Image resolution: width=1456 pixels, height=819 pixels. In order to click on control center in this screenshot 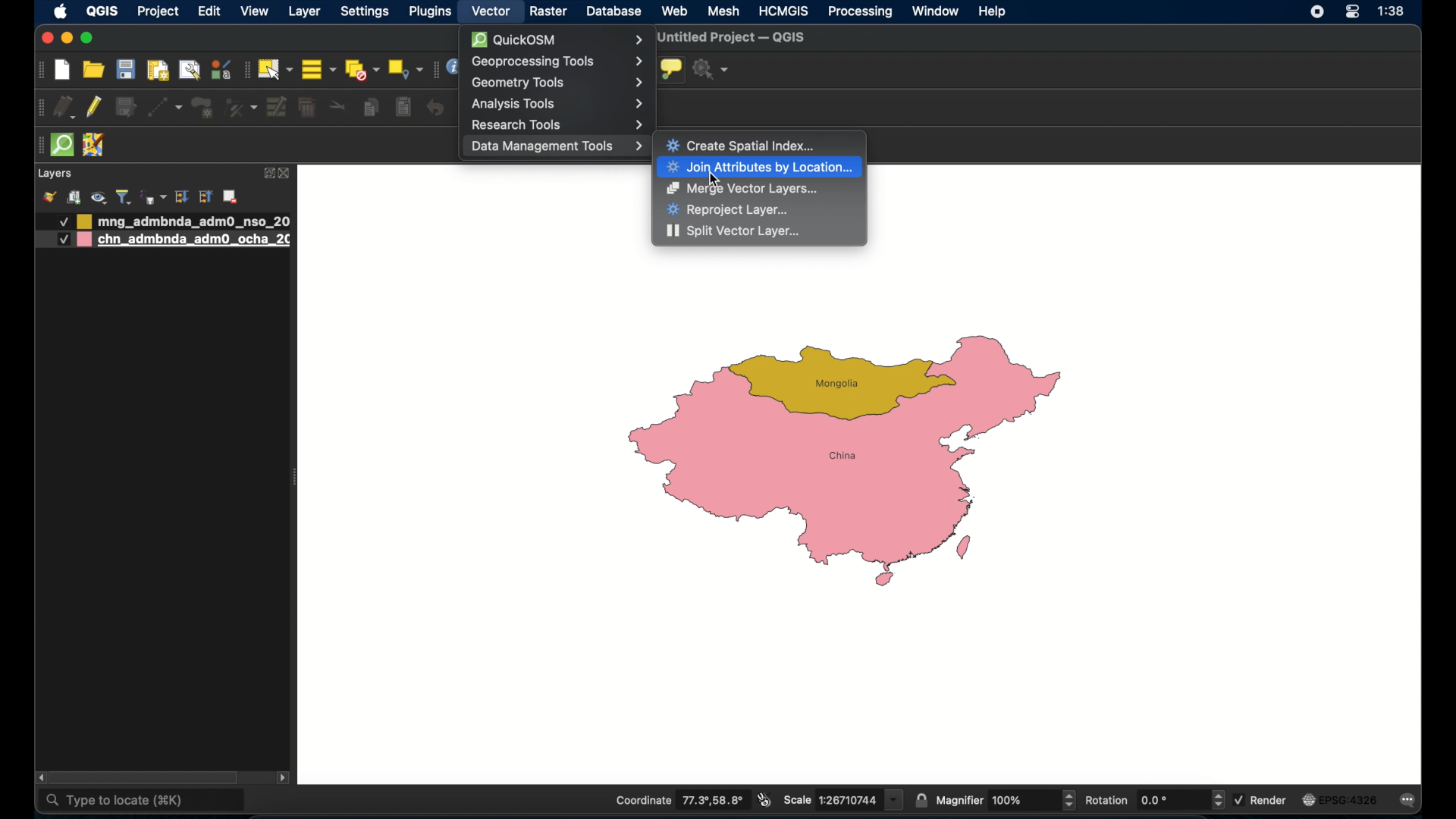, I will do `click(1313, 14)`.